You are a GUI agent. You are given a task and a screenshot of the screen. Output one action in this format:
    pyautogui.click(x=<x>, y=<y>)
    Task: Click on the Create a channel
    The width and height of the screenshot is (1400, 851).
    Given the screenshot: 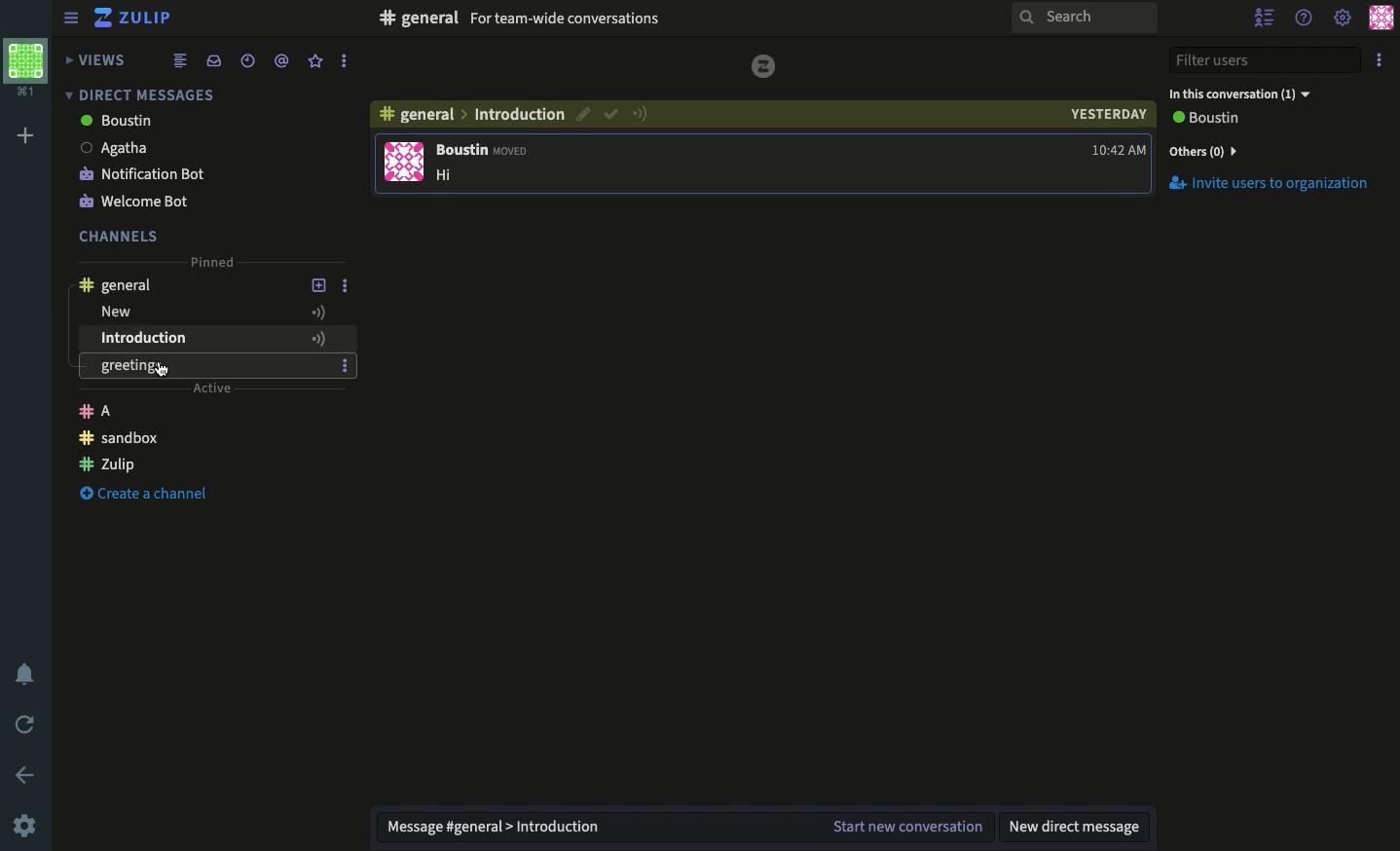 What is the action you would take?
    pyautogui.click(x=149, y=492)
    